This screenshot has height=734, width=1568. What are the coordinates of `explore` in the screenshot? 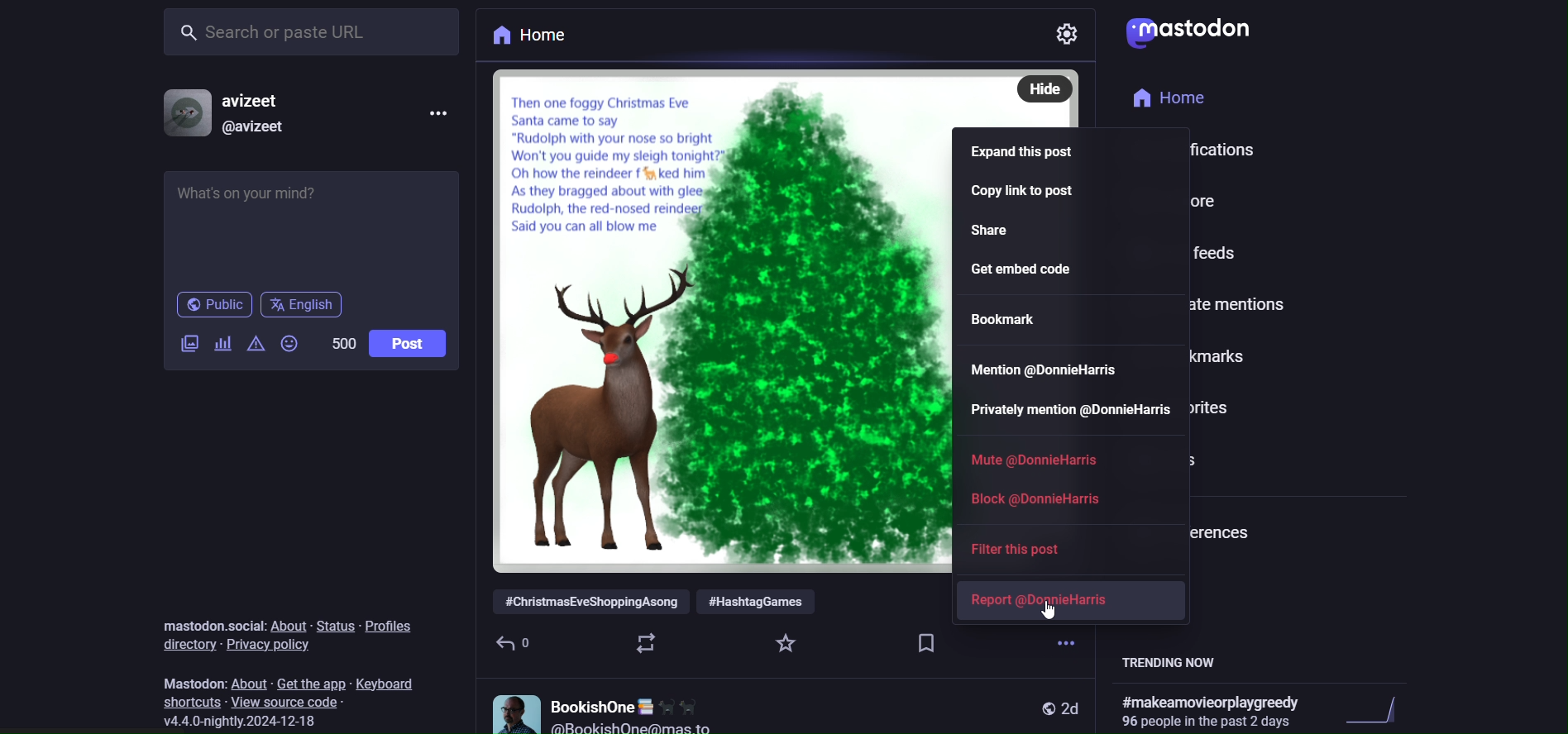 It's located at (1171, 201).